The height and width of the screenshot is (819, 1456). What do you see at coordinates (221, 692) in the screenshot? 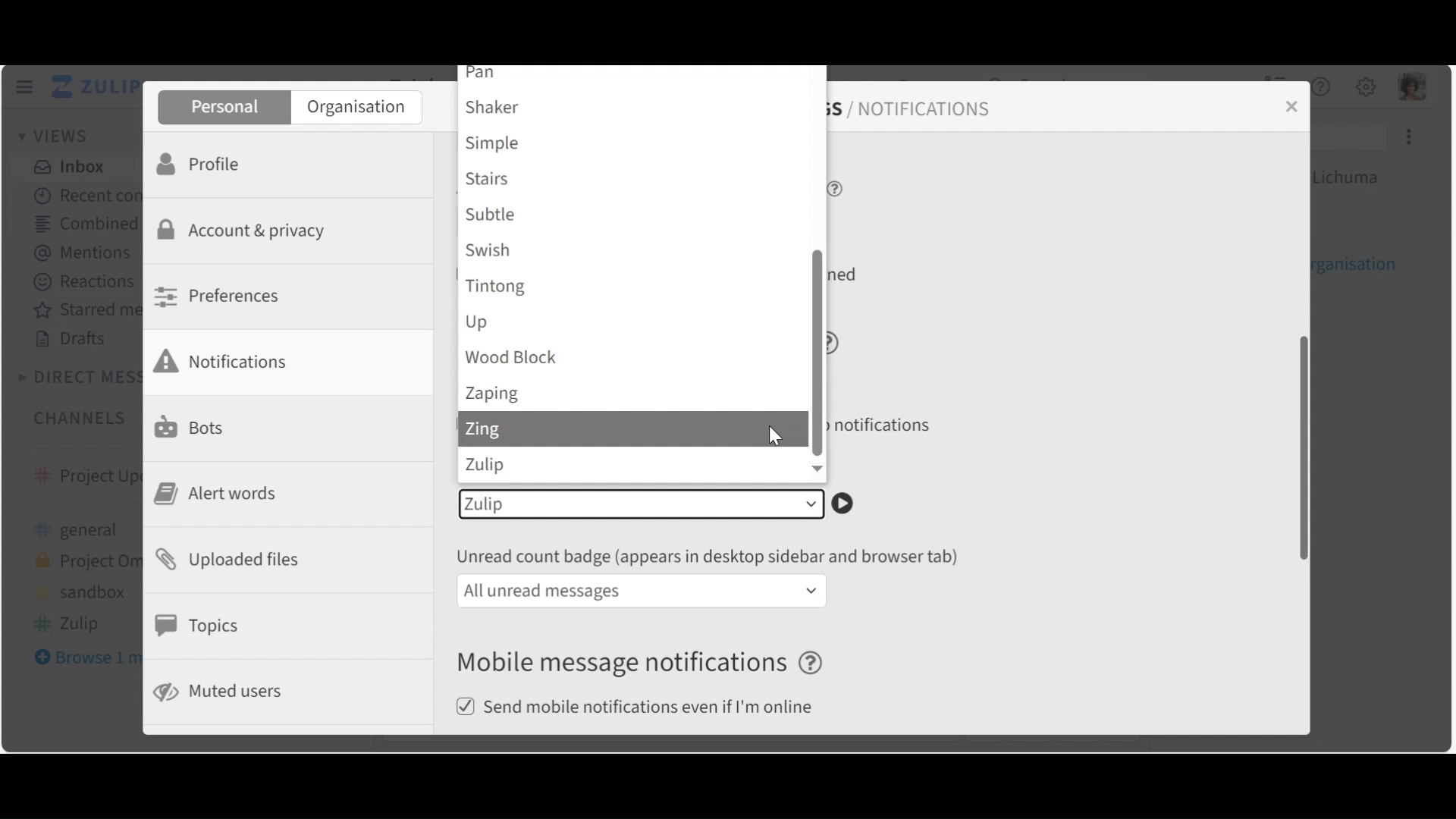
I see `Muted users` at bounding box center [221, 692].